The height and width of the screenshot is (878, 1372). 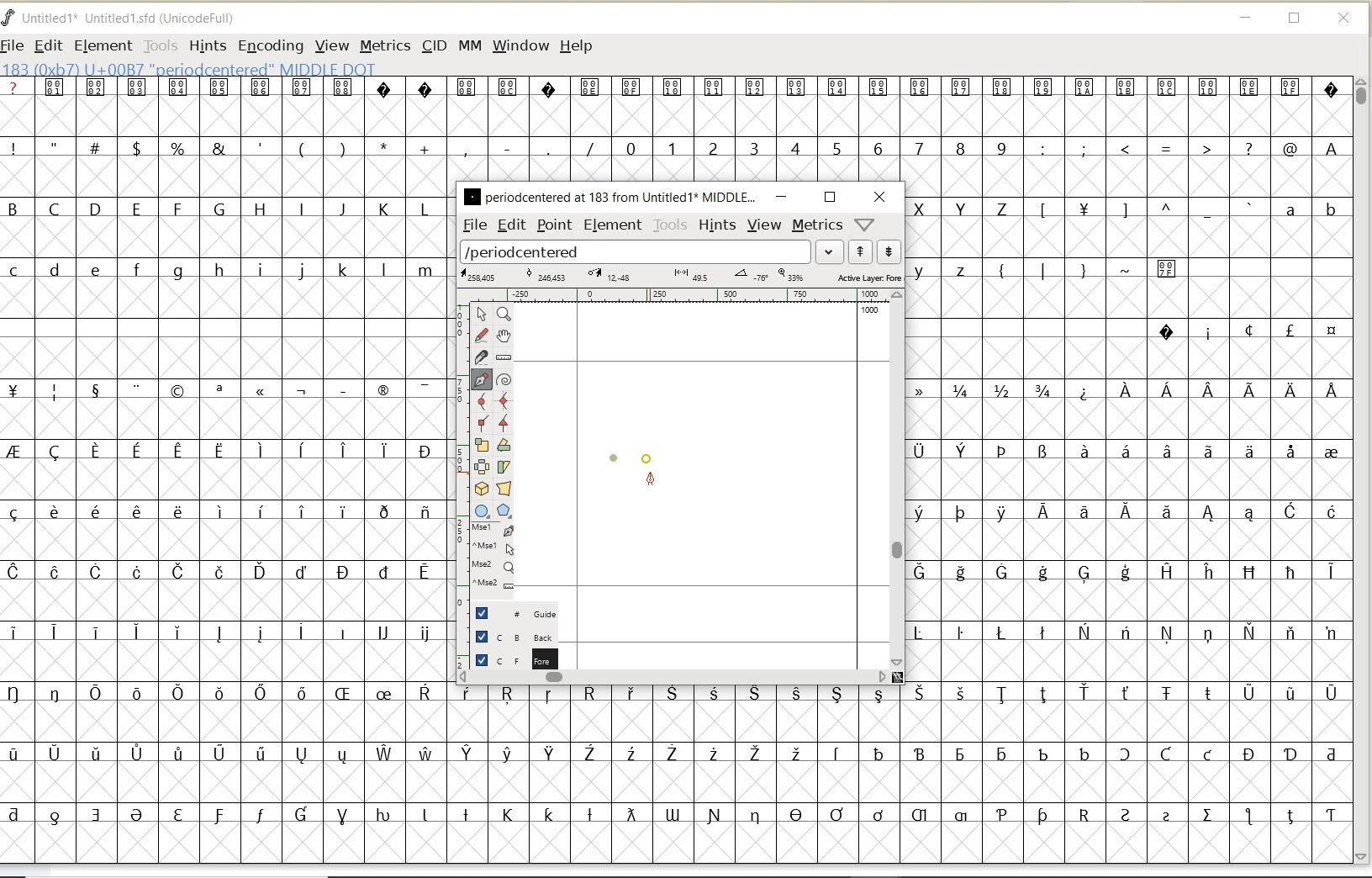 What do you see at coordinates (300, 147) in the screenshot?
I see `special characters` at bounding box center [300, 147].